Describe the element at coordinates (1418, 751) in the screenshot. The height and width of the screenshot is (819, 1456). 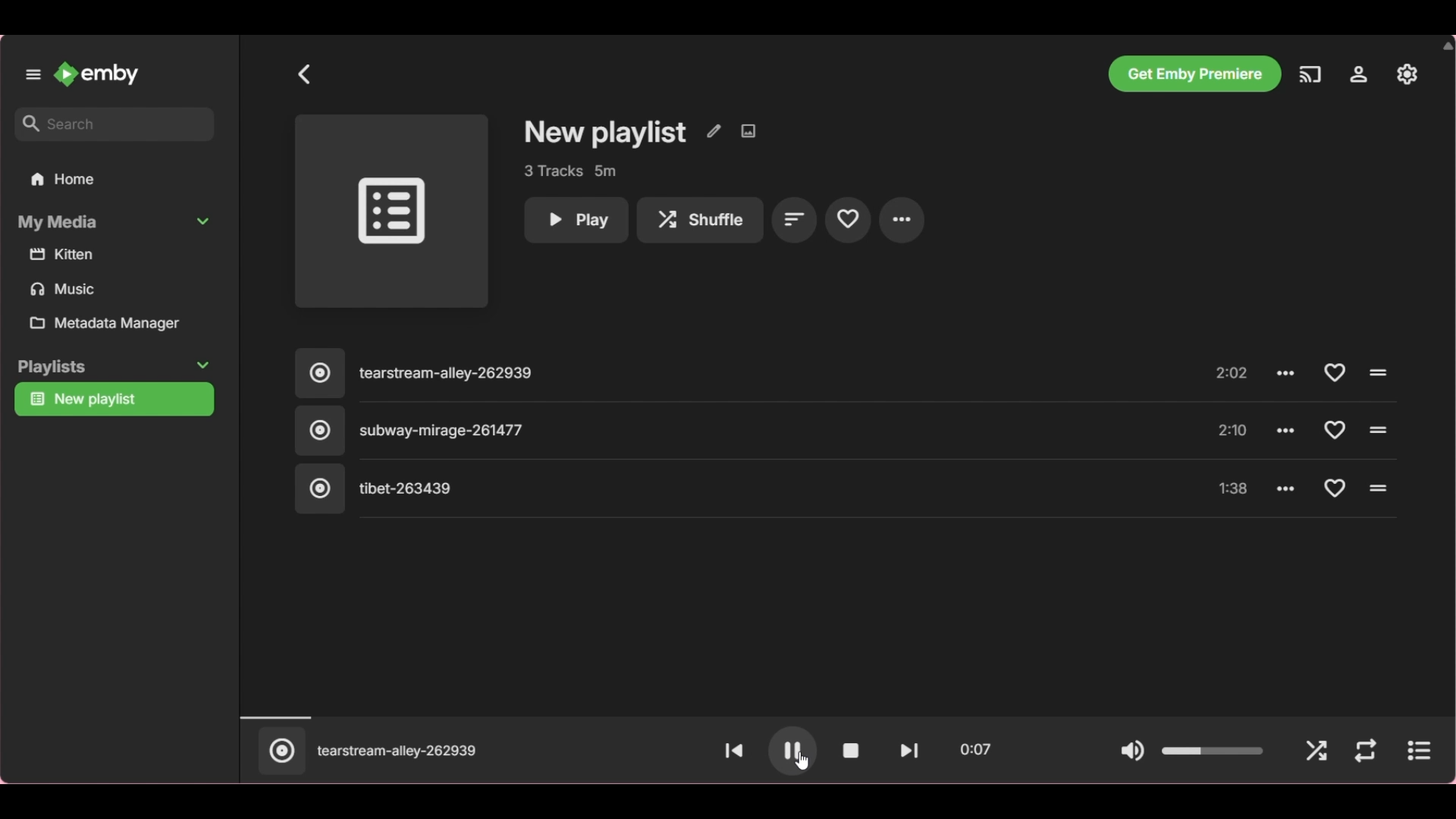
I see `Show current song only` at that location.